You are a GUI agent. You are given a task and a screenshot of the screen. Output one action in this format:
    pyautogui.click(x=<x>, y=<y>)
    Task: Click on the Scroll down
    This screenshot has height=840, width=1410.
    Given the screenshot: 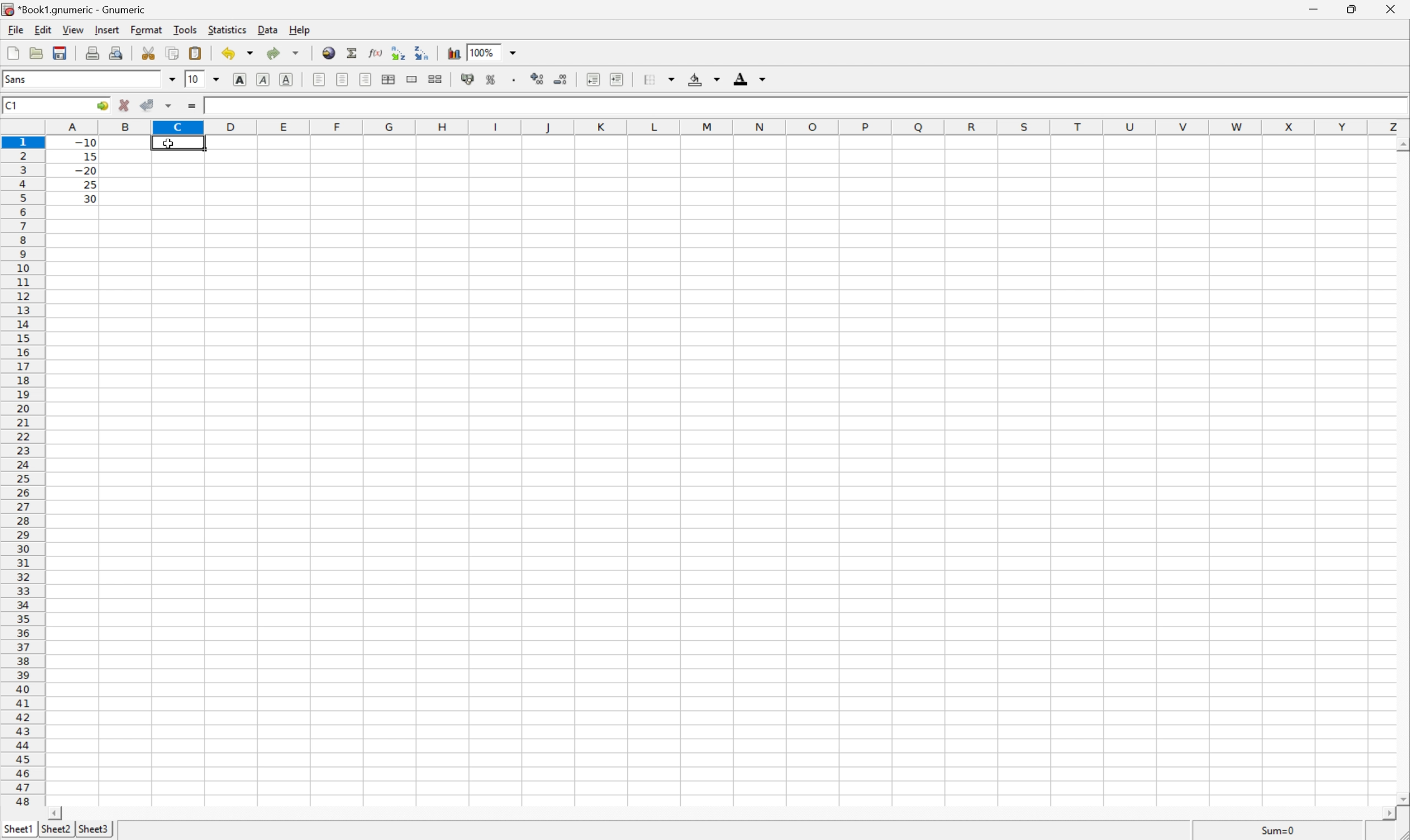 What is the action you would take?
    pyautogui.click(x=1401, y=797)
    